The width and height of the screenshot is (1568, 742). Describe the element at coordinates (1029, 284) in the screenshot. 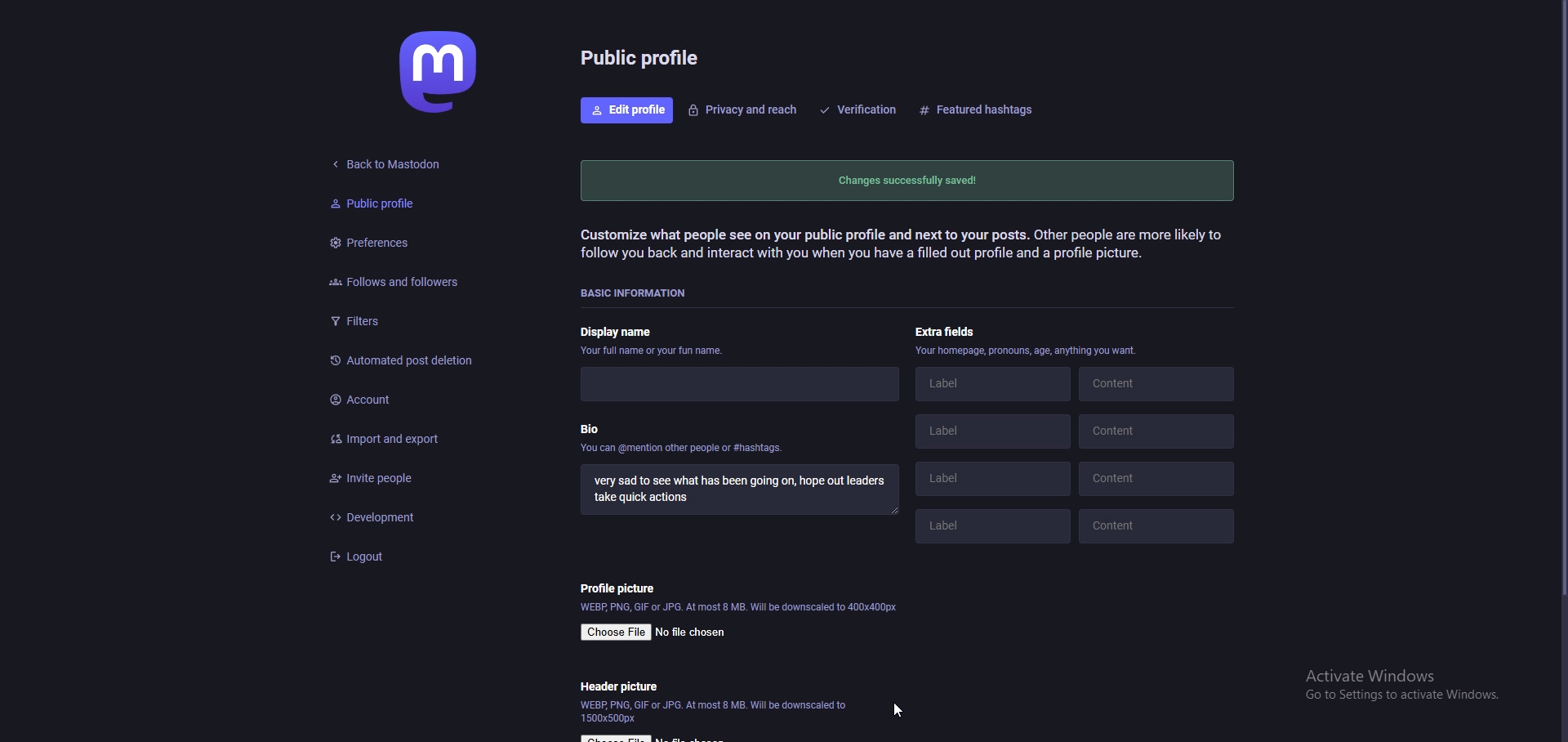

I see `info` at that location.